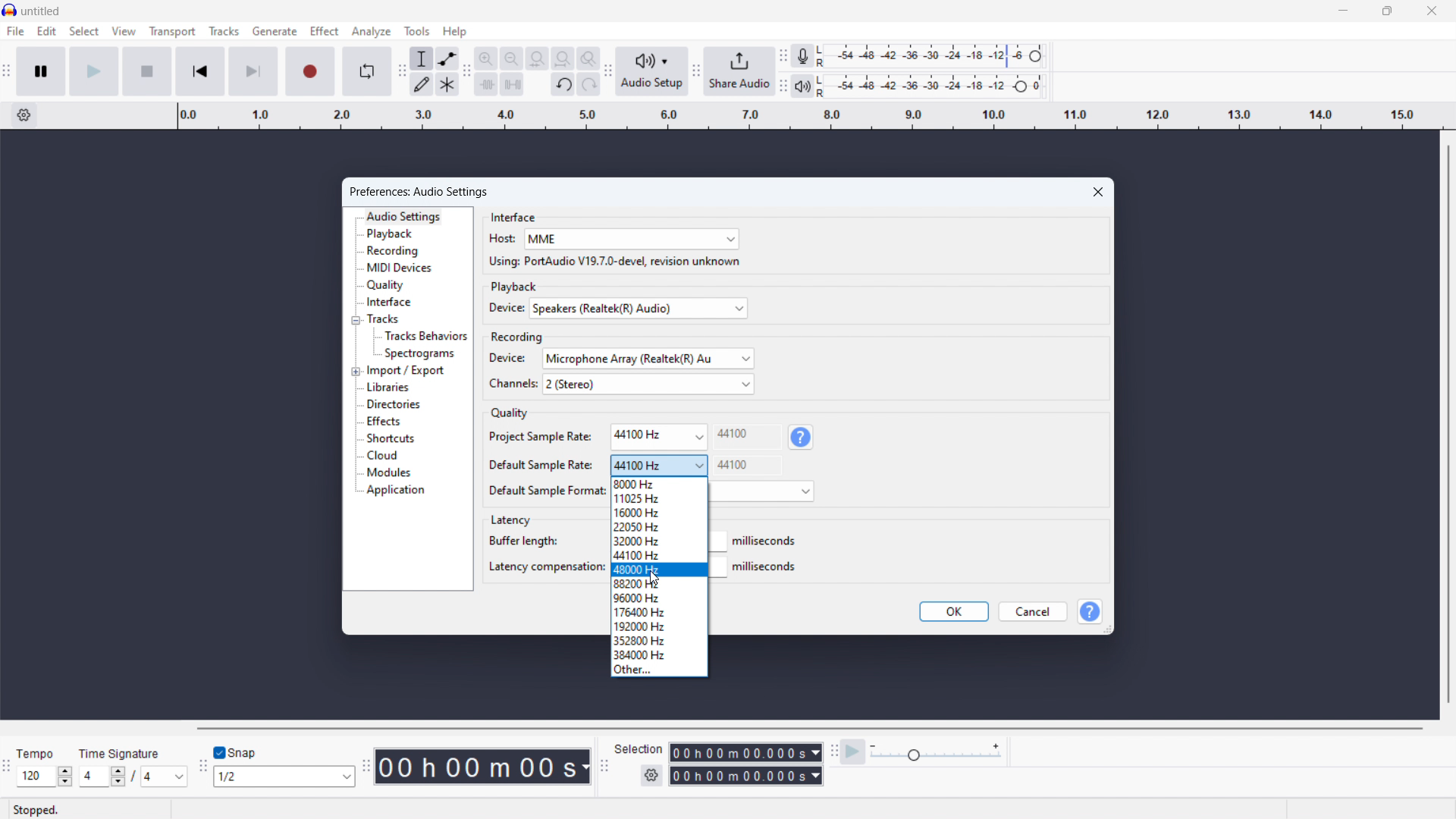 The height and width of the screenshot is (819, 1456). I want to click on 44100, so click(748, 465).